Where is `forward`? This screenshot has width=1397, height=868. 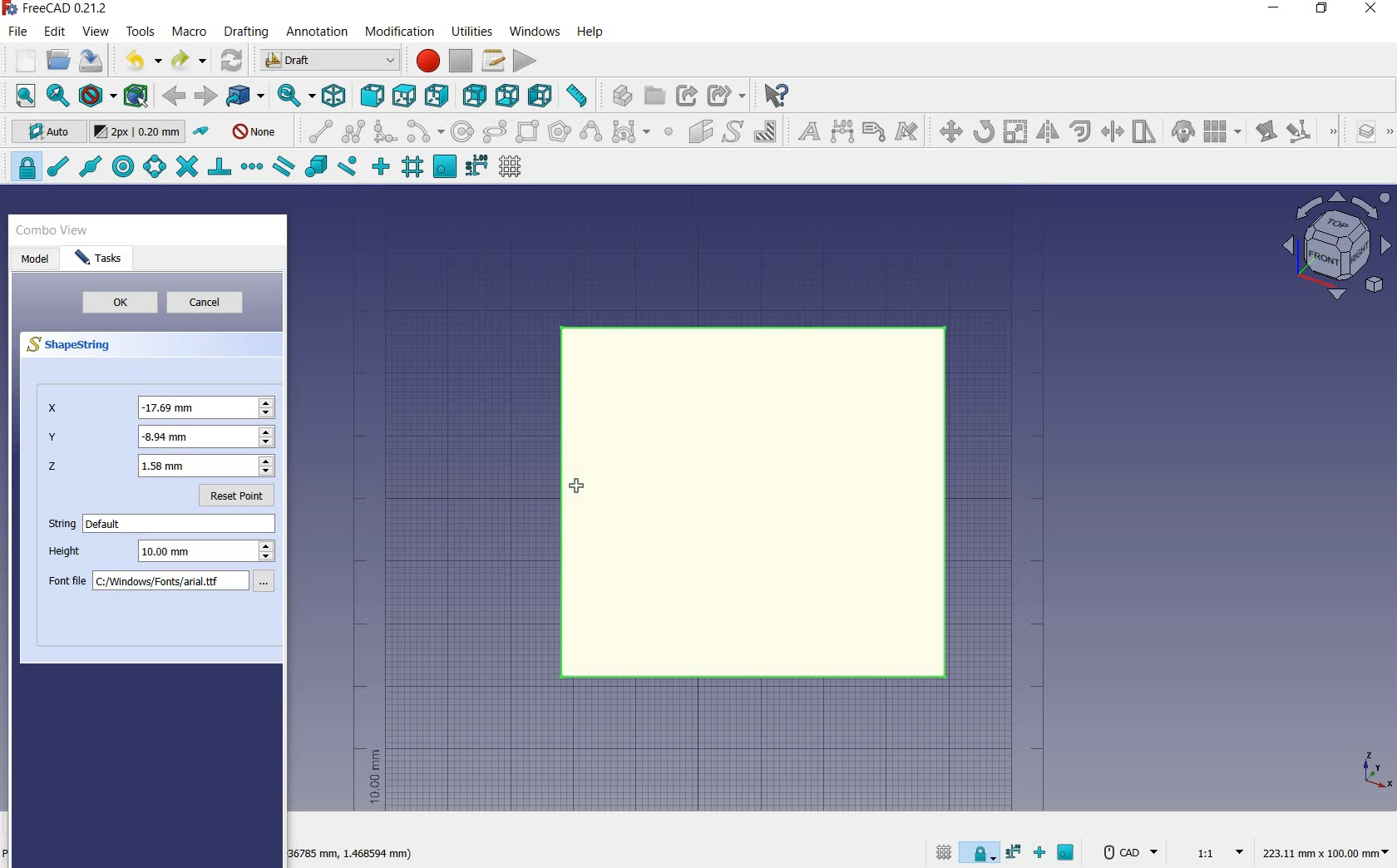
forward is located at coordinates (205, 96).